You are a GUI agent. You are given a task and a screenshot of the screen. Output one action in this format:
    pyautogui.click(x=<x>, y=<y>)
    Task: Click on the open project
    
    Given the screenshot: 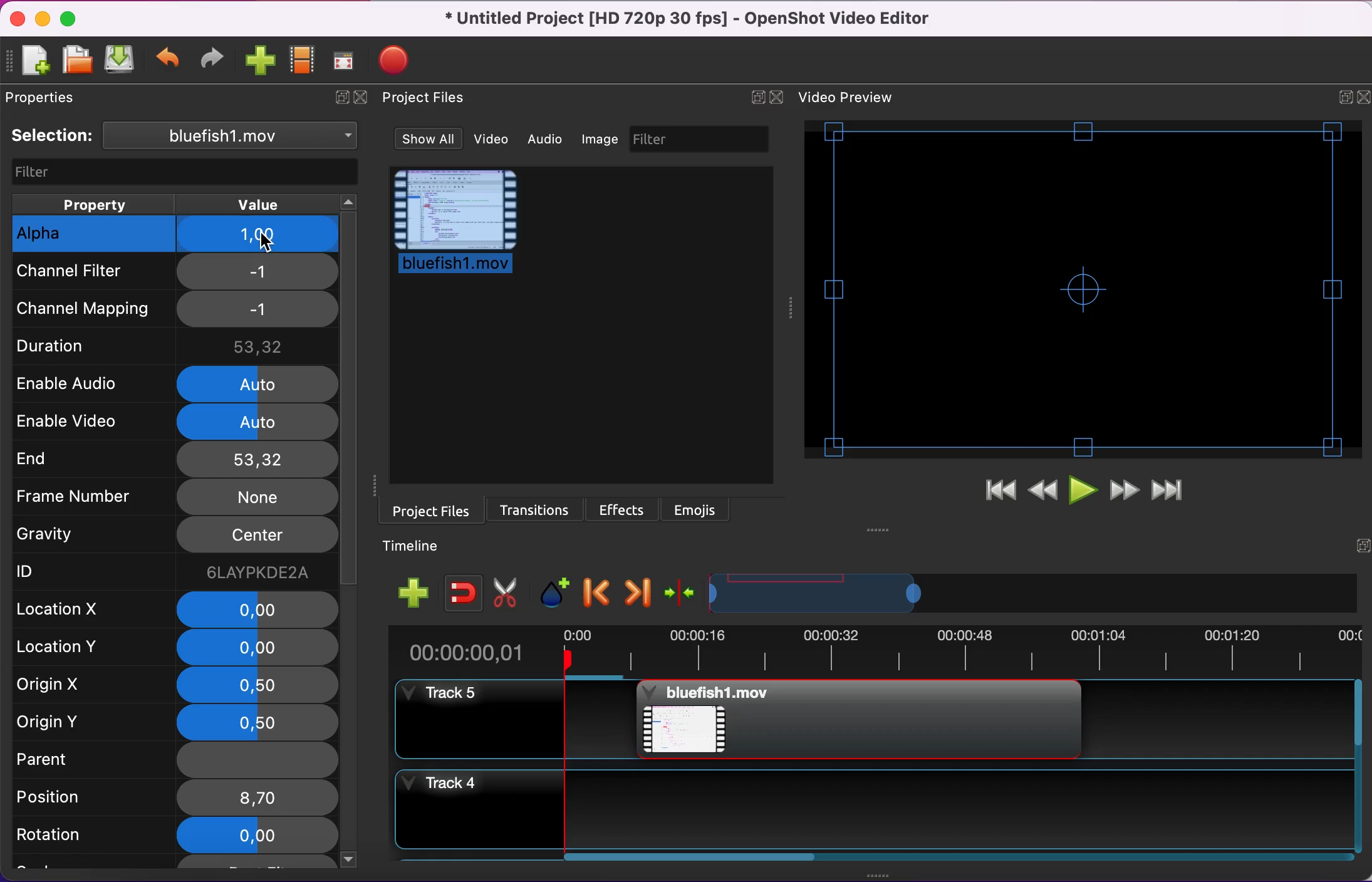 What is the action you would take?
    pyautogui.click(x=76, y=65)
    